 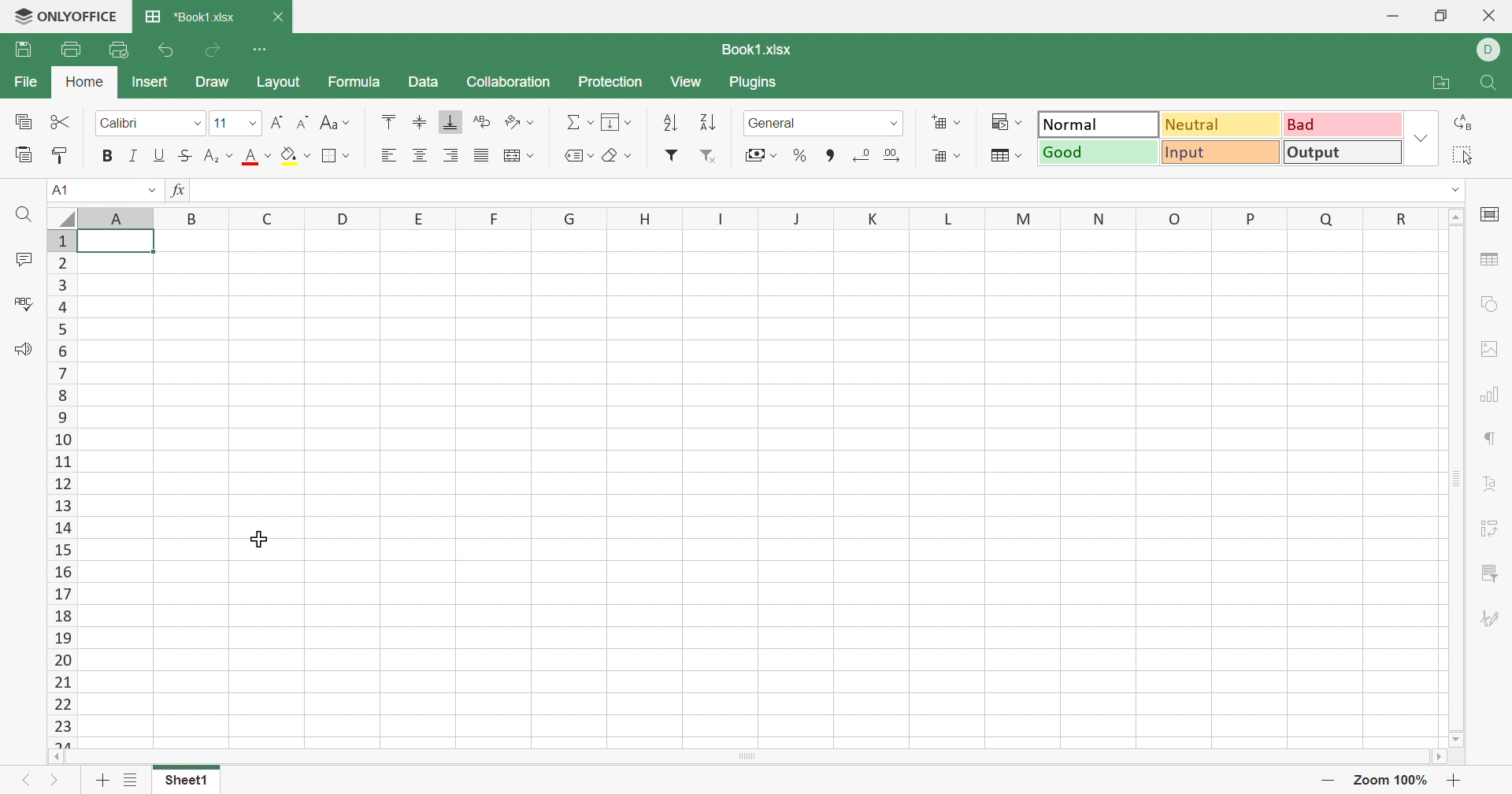 What do you see at coordinates (480, 157) in the screenshot?
I see `Justified` at bounding box center [480, 157].